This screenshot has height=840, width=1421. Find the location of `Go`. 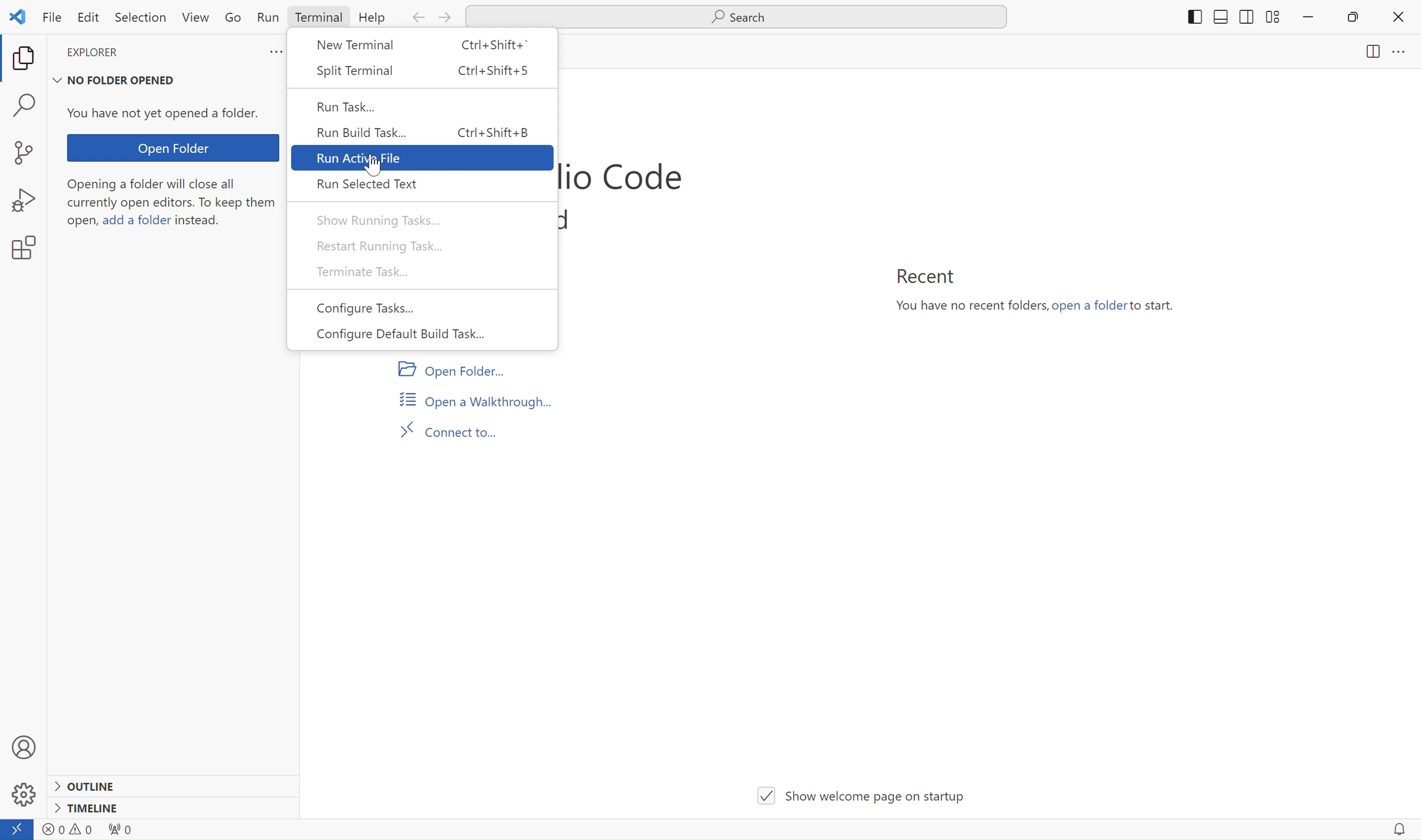

Go is located at coordinates (237, 19).